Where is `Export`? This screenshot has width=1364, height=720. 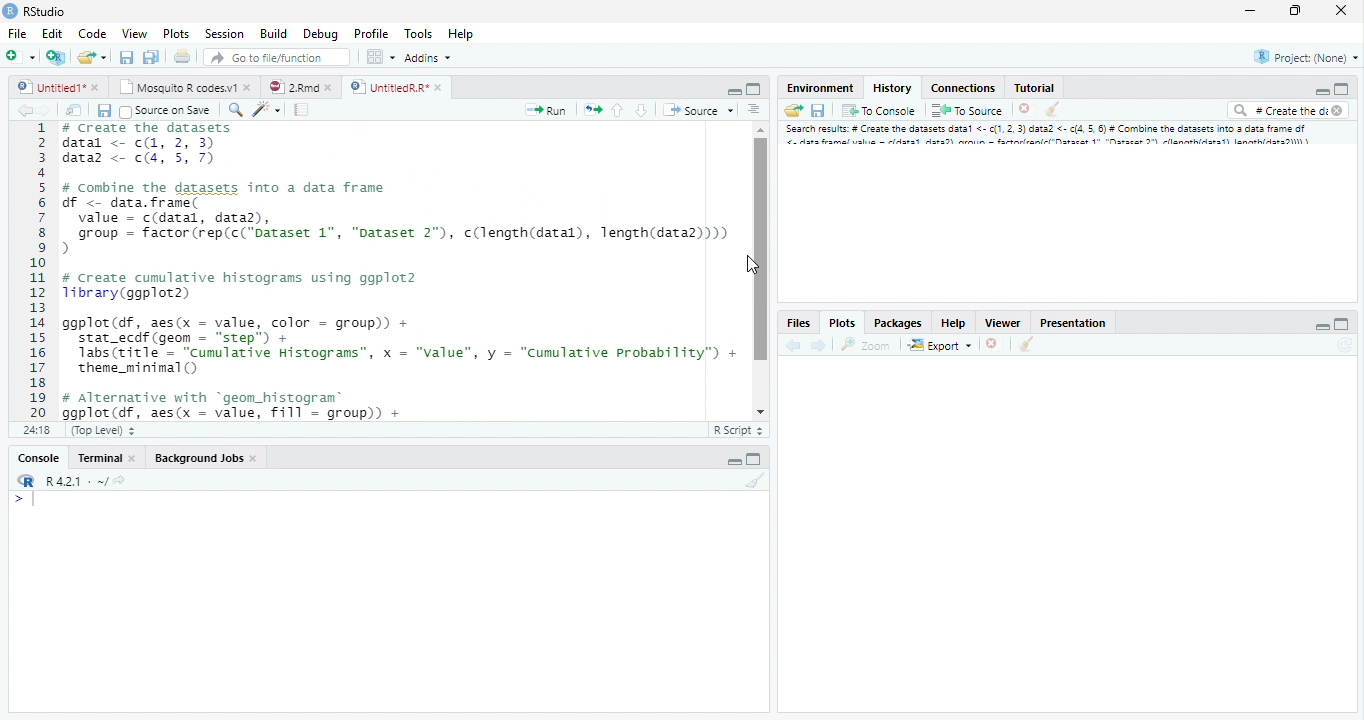 Export is located at coordinates (940, 345).